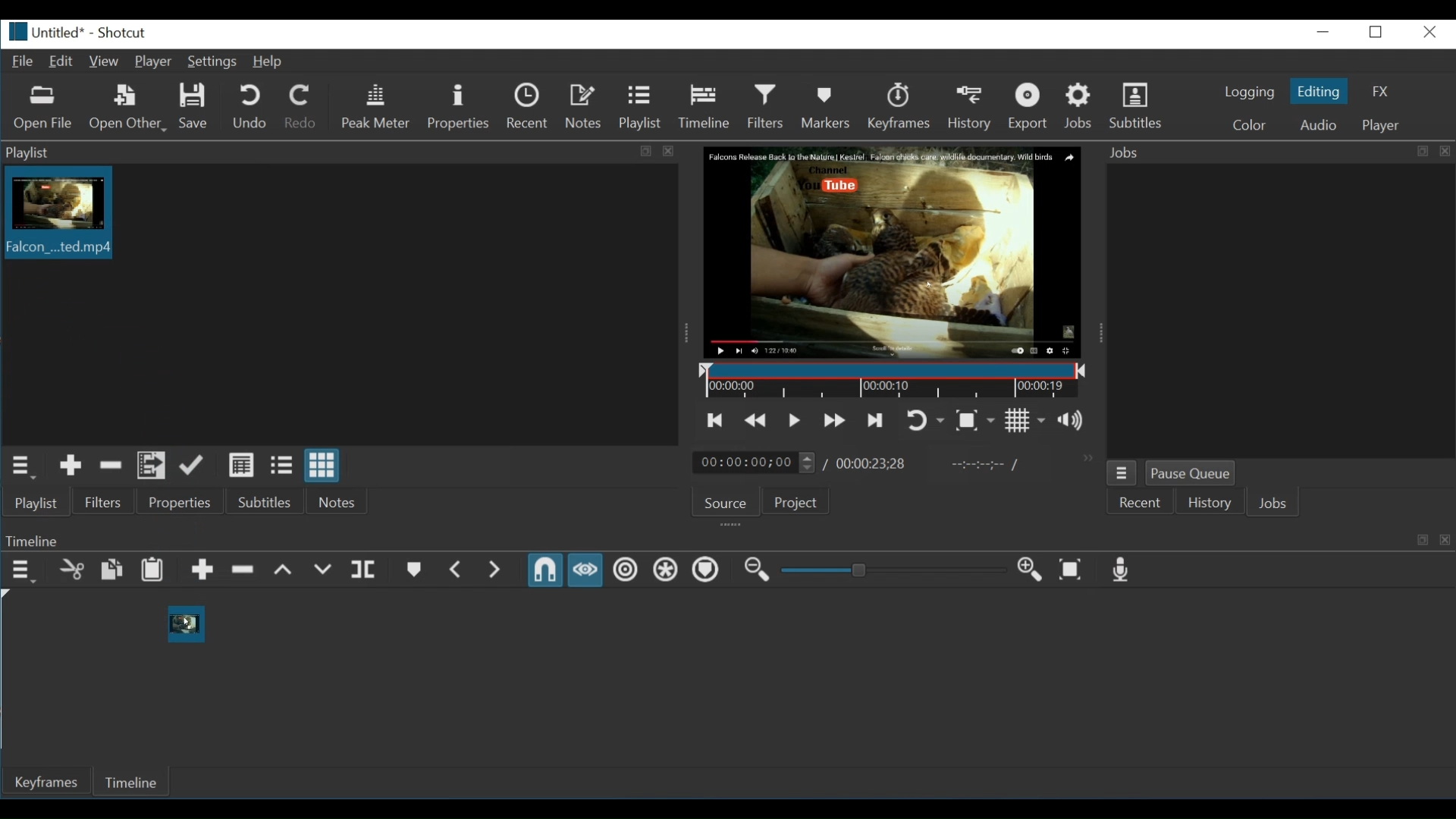  I want to click on Notes, so click(585, 106).